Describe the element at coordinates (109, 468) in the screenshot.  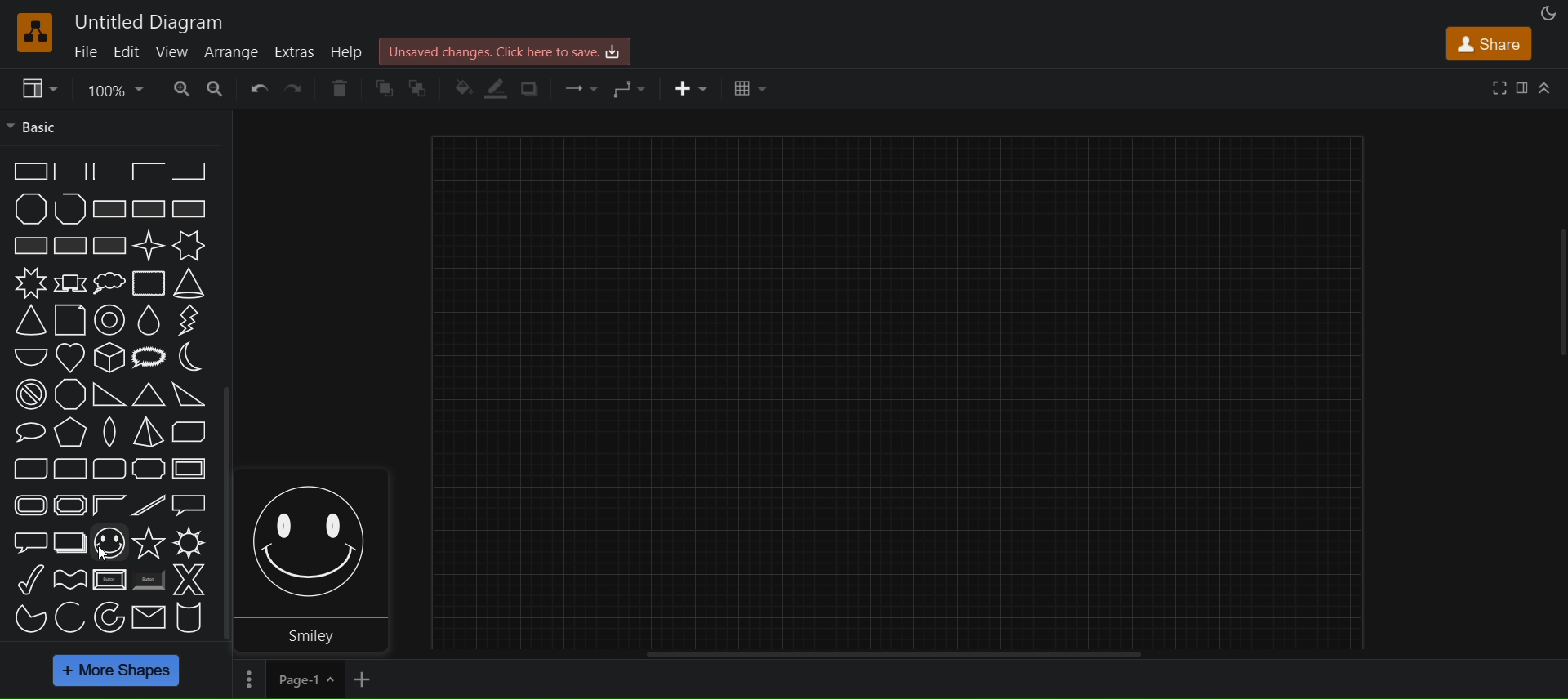
I see `rounded rectangle (three corners)` at that location.